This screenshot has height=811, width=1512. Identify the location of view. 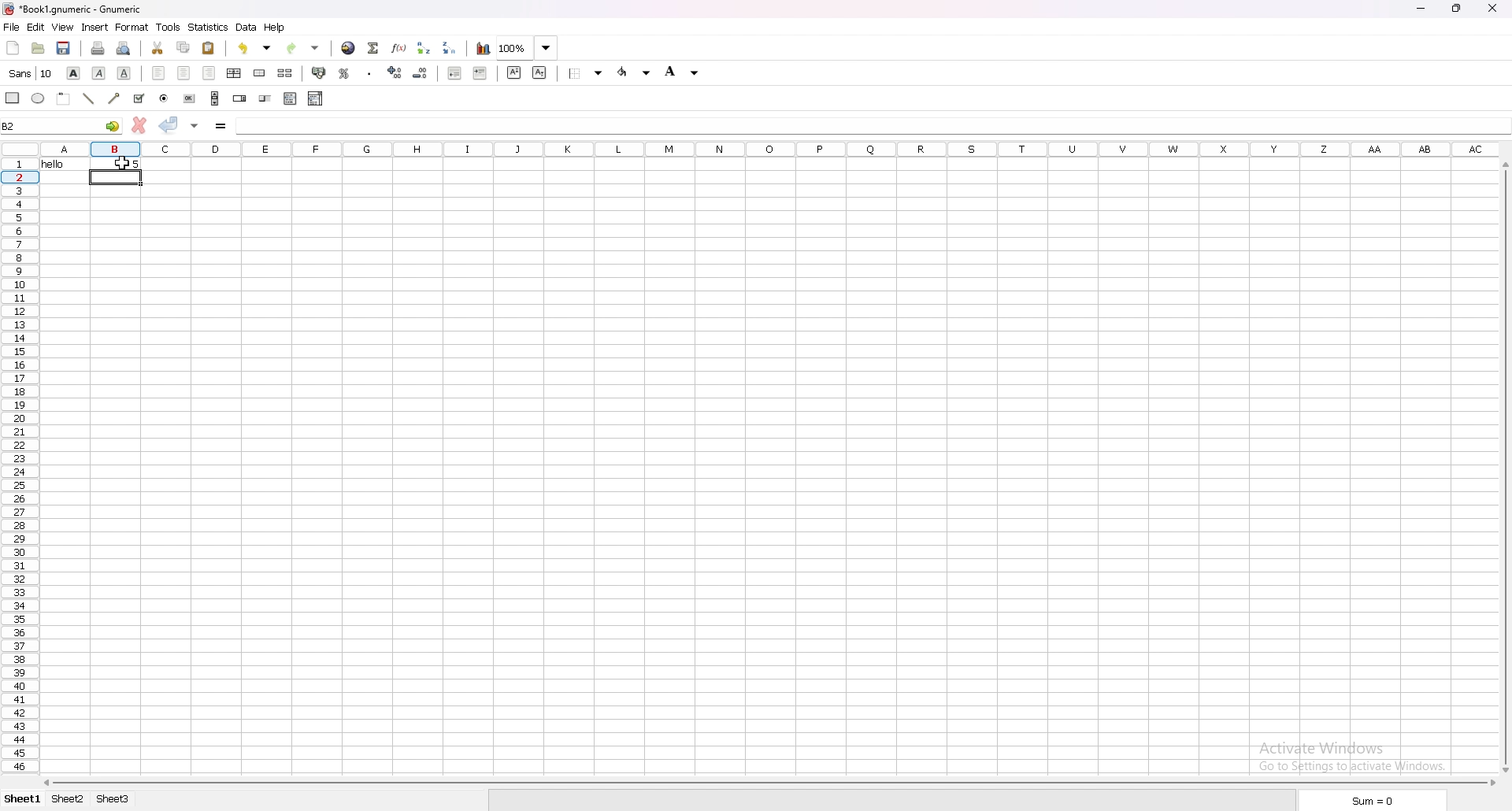
(62, 28).